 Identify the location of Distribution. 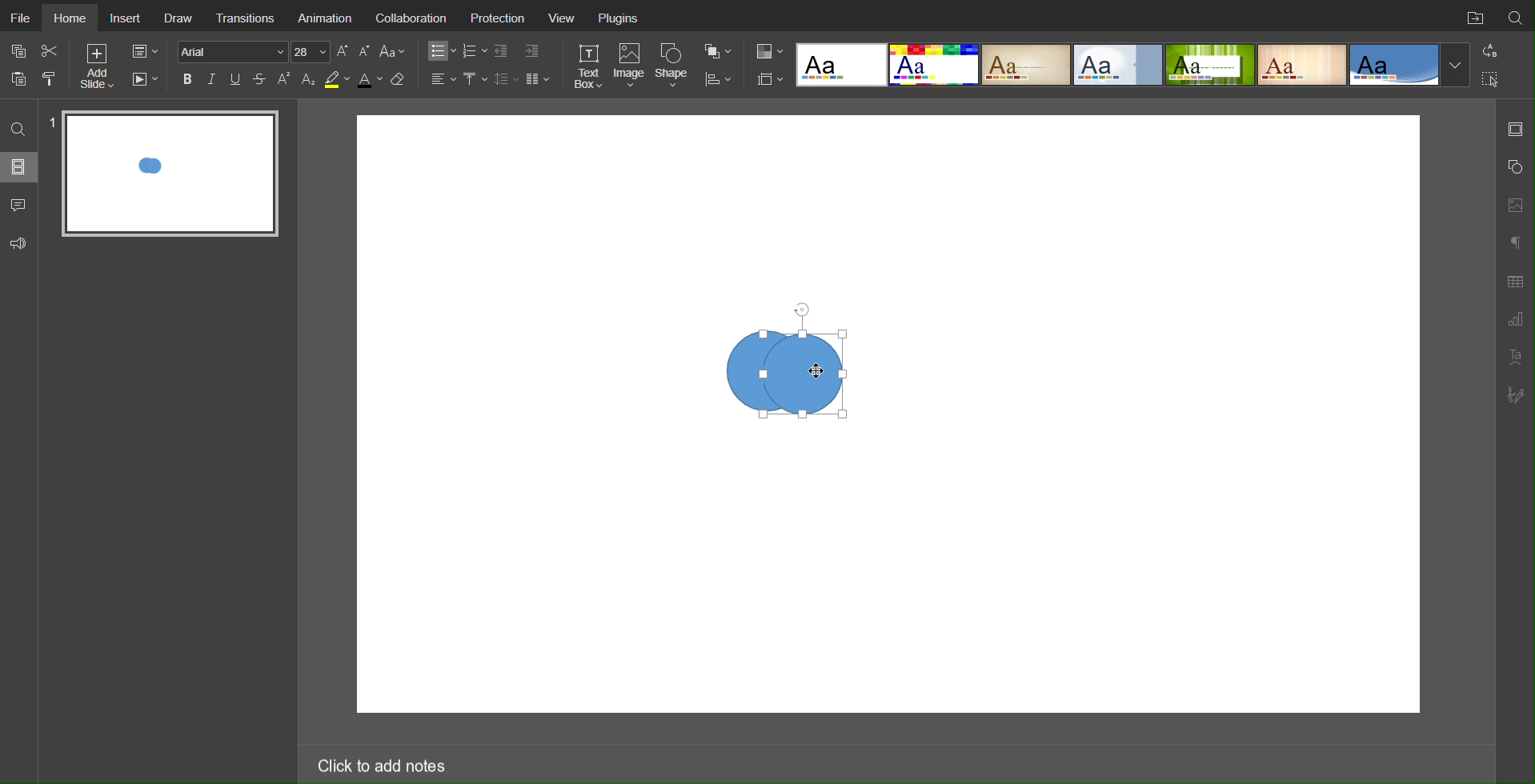
(718, 78).